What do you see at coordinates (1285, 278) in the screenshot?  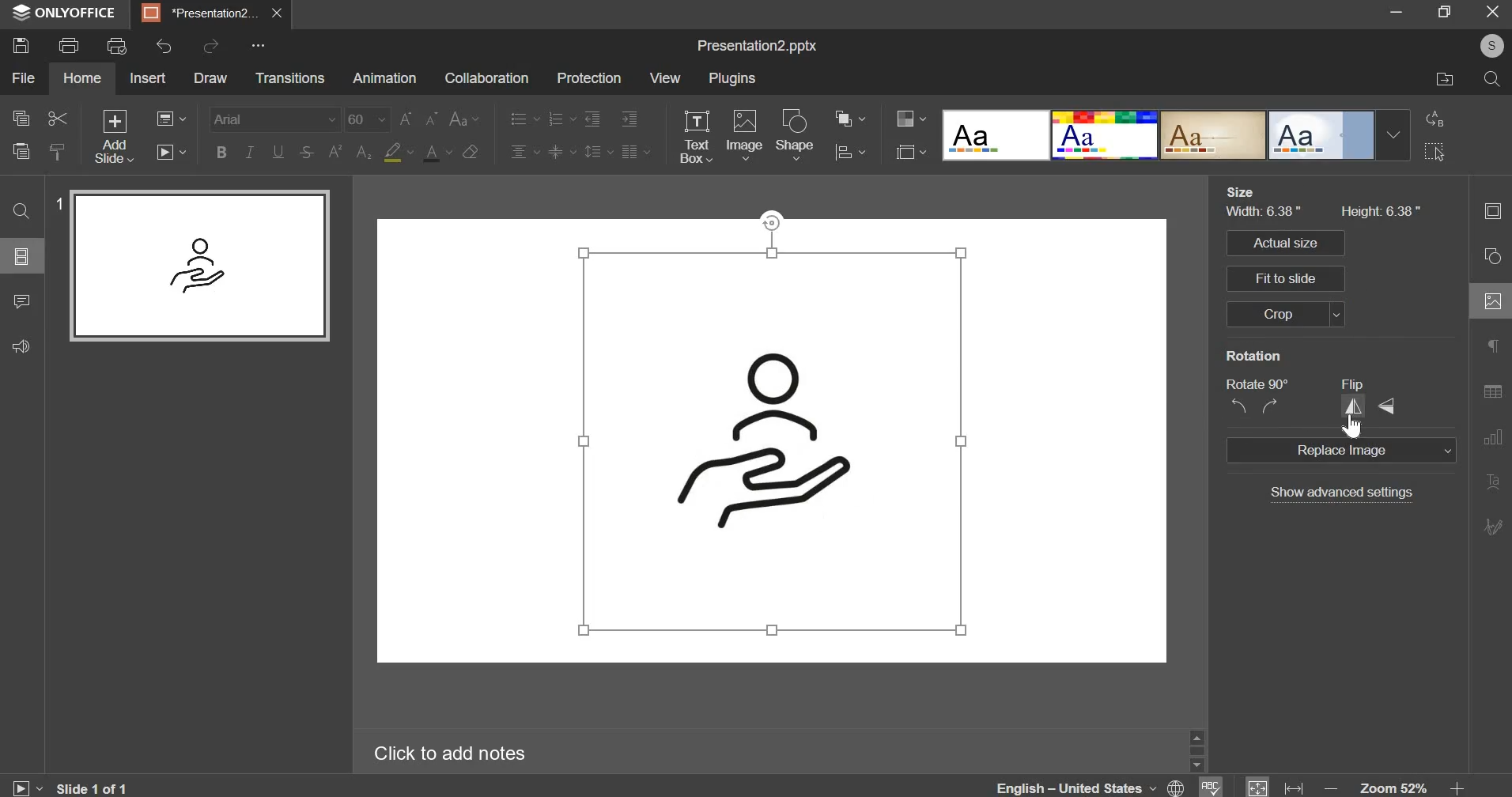 I see `fit to slide` at bounding box center [1285, 278].